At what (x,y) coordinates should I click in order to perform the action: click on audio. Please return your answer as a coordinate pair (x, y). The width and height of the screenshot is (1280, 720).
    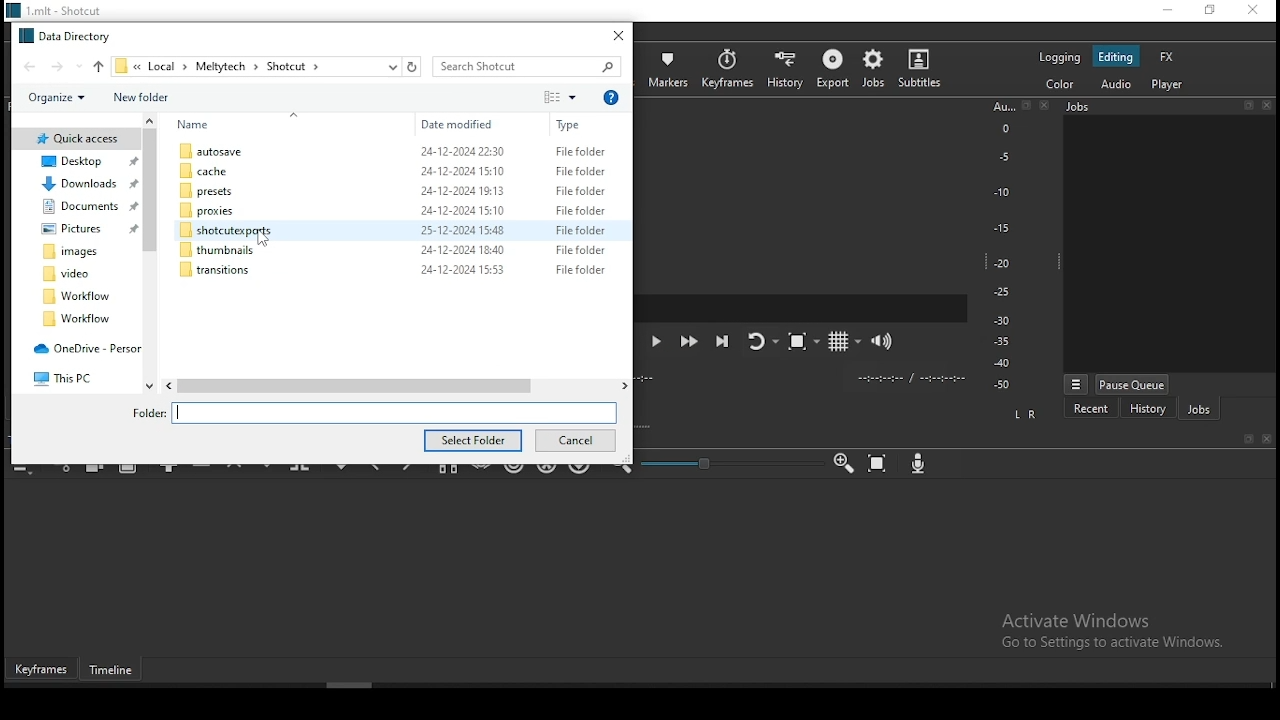
    Looking at the image, I should click on (1119, 85).